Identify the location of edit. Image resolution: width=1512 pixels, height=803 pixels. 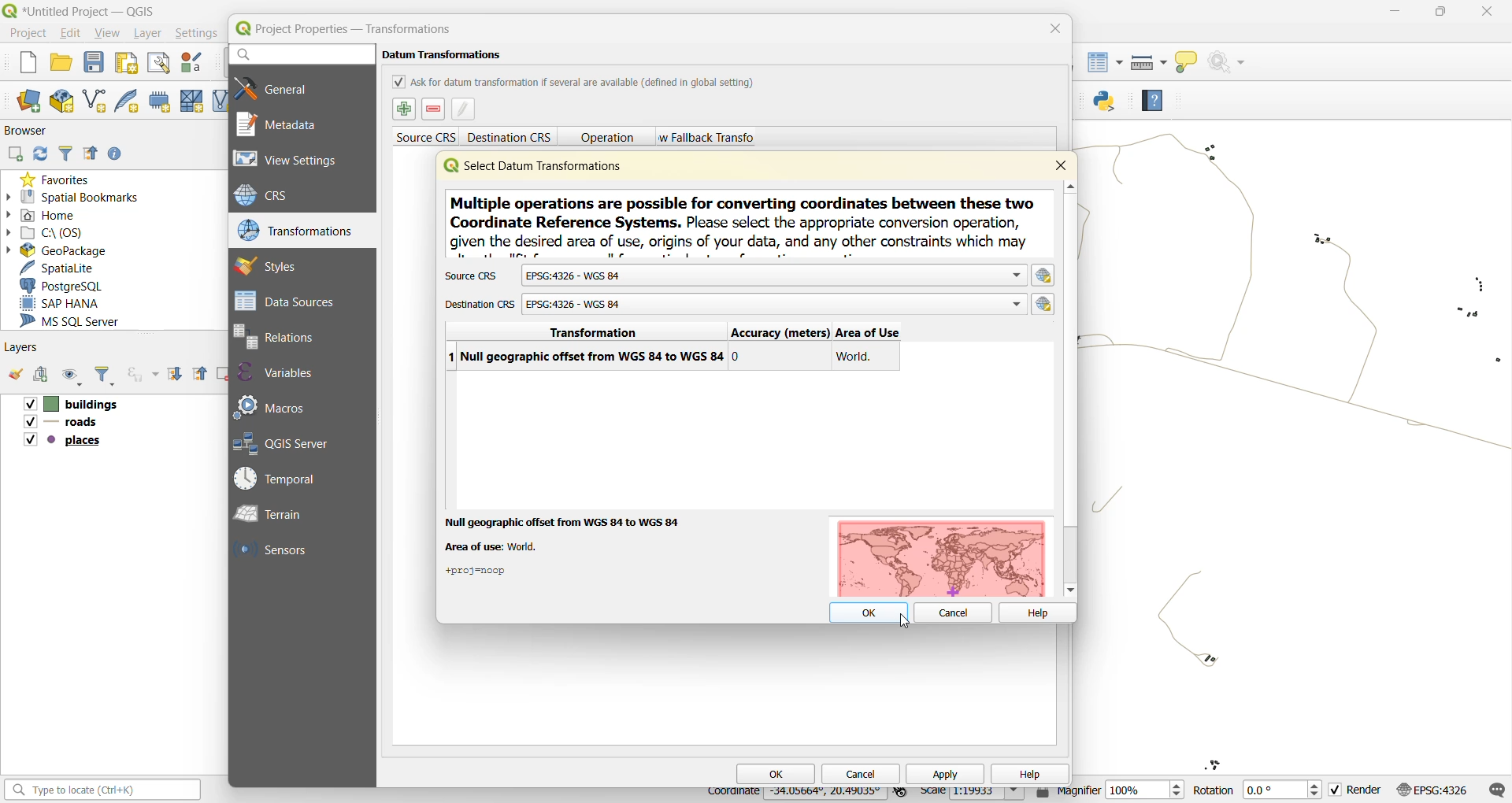
(71, 33).